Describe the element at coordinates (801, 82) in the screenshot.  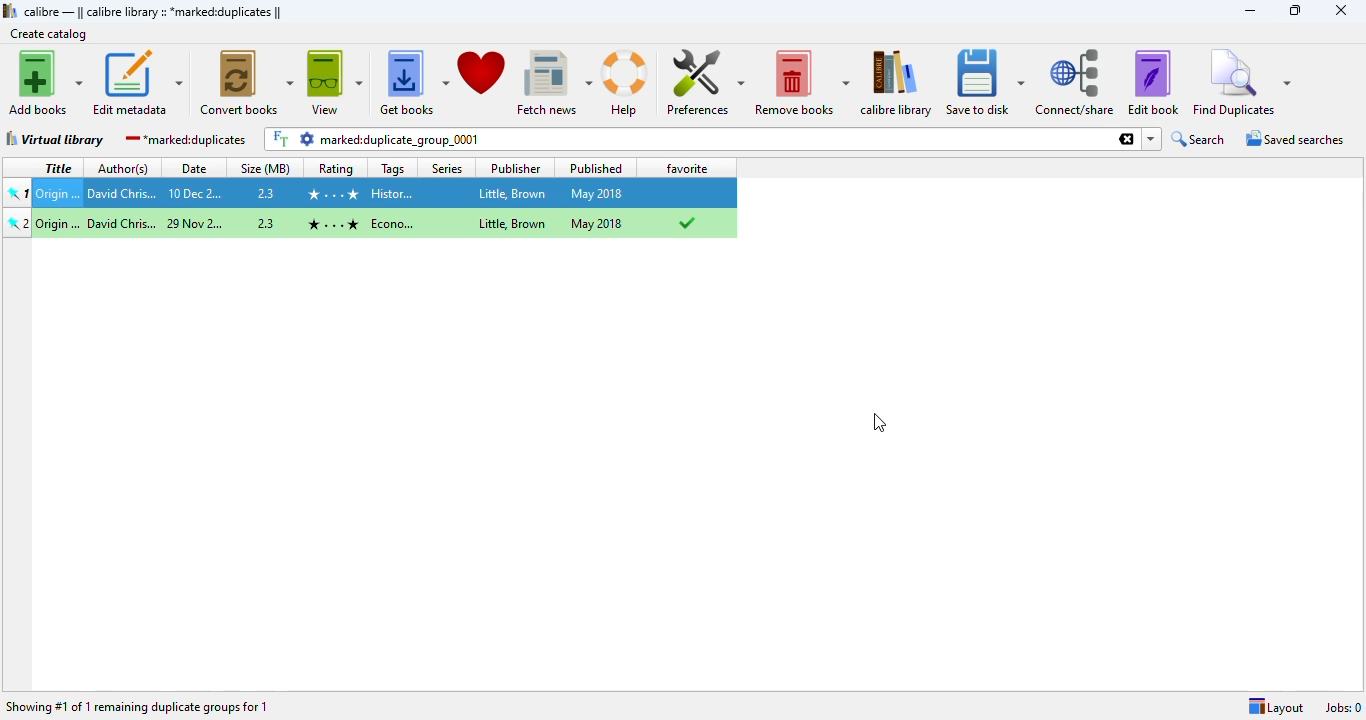
I see `remove books` at that location.